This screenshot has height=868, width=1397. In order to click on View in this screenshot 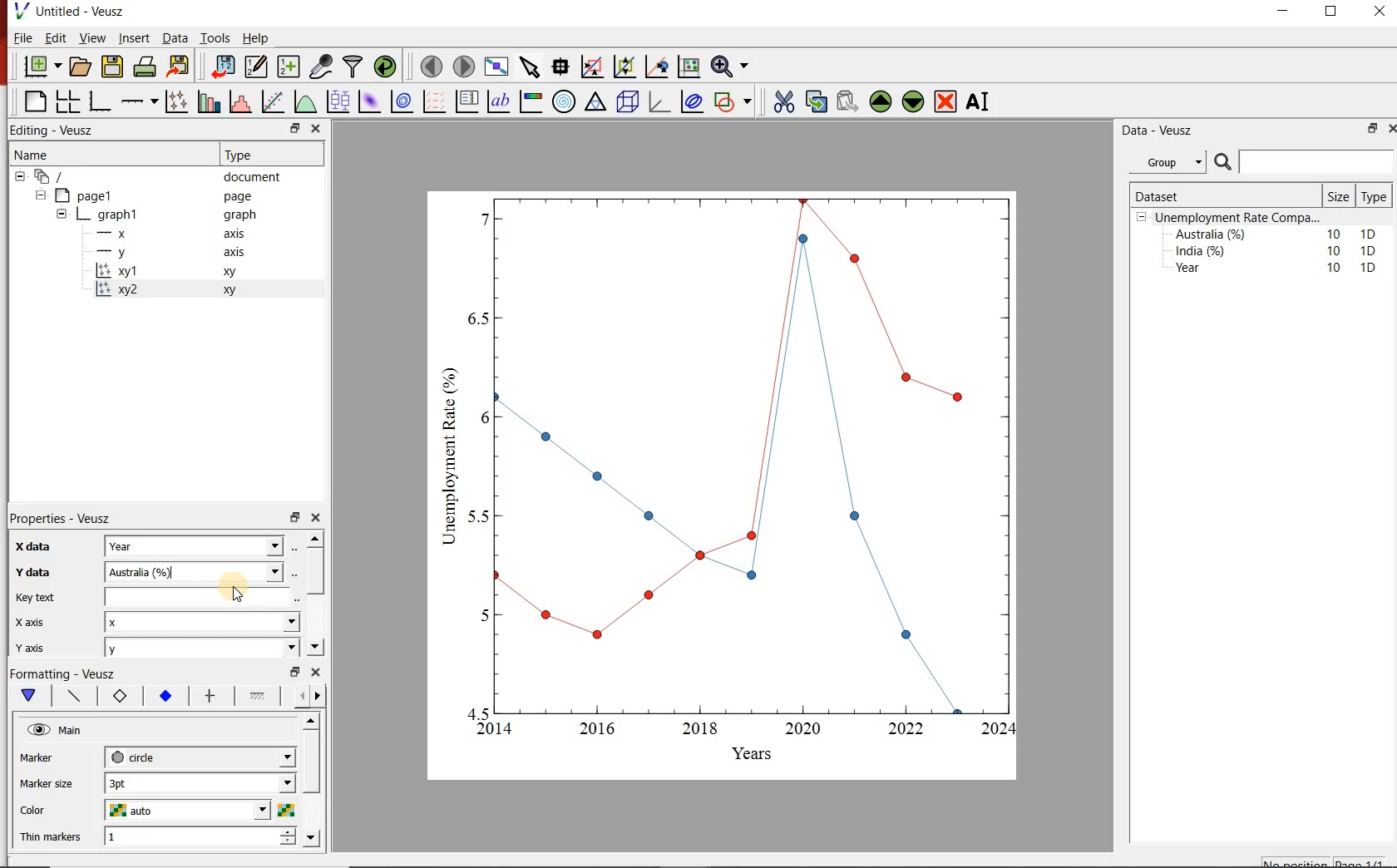, I will do `click(91, 38)`.